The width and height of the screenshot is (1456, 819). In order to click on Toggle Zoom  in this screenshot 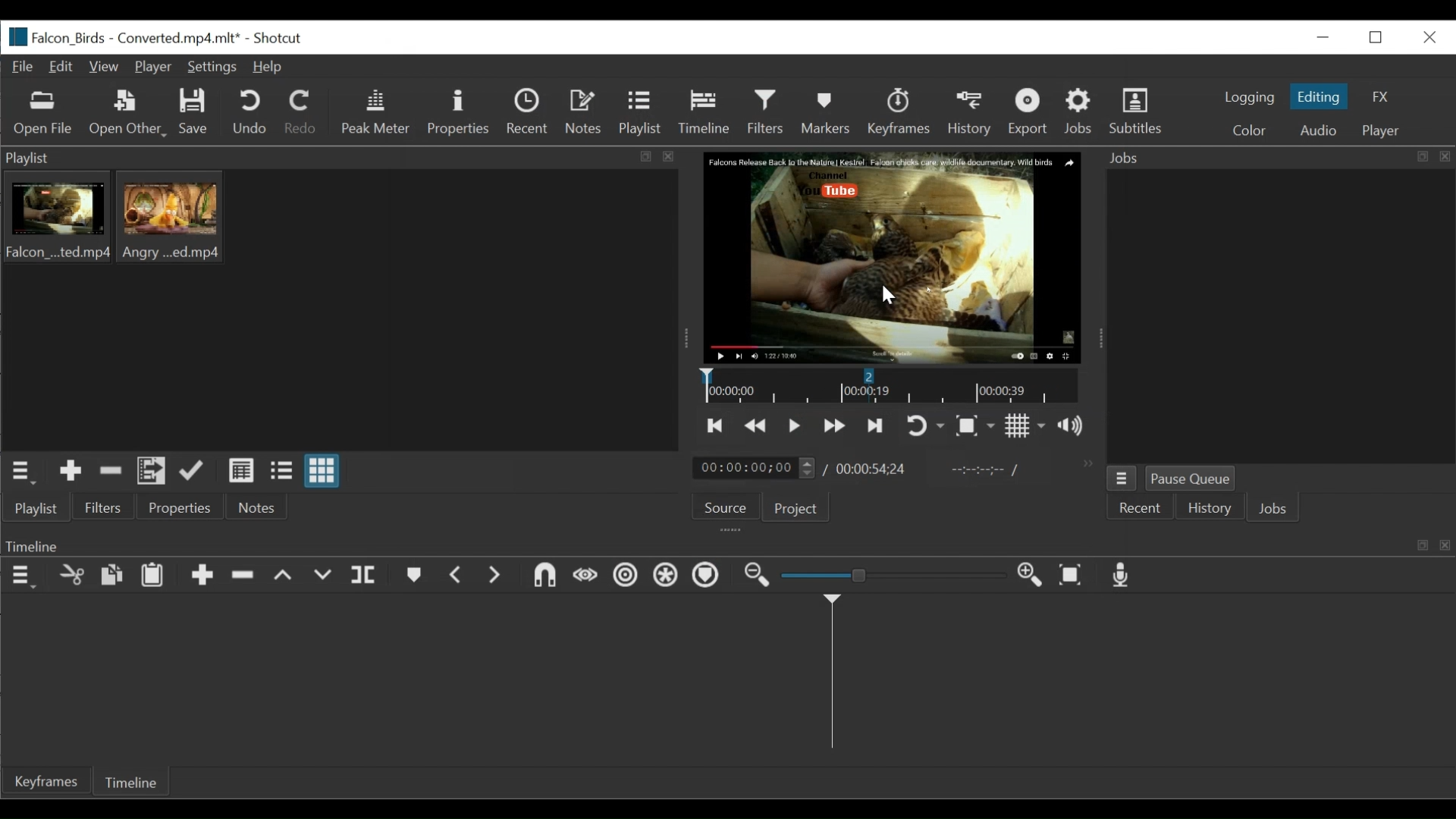, I will do `click(976, 425)`.